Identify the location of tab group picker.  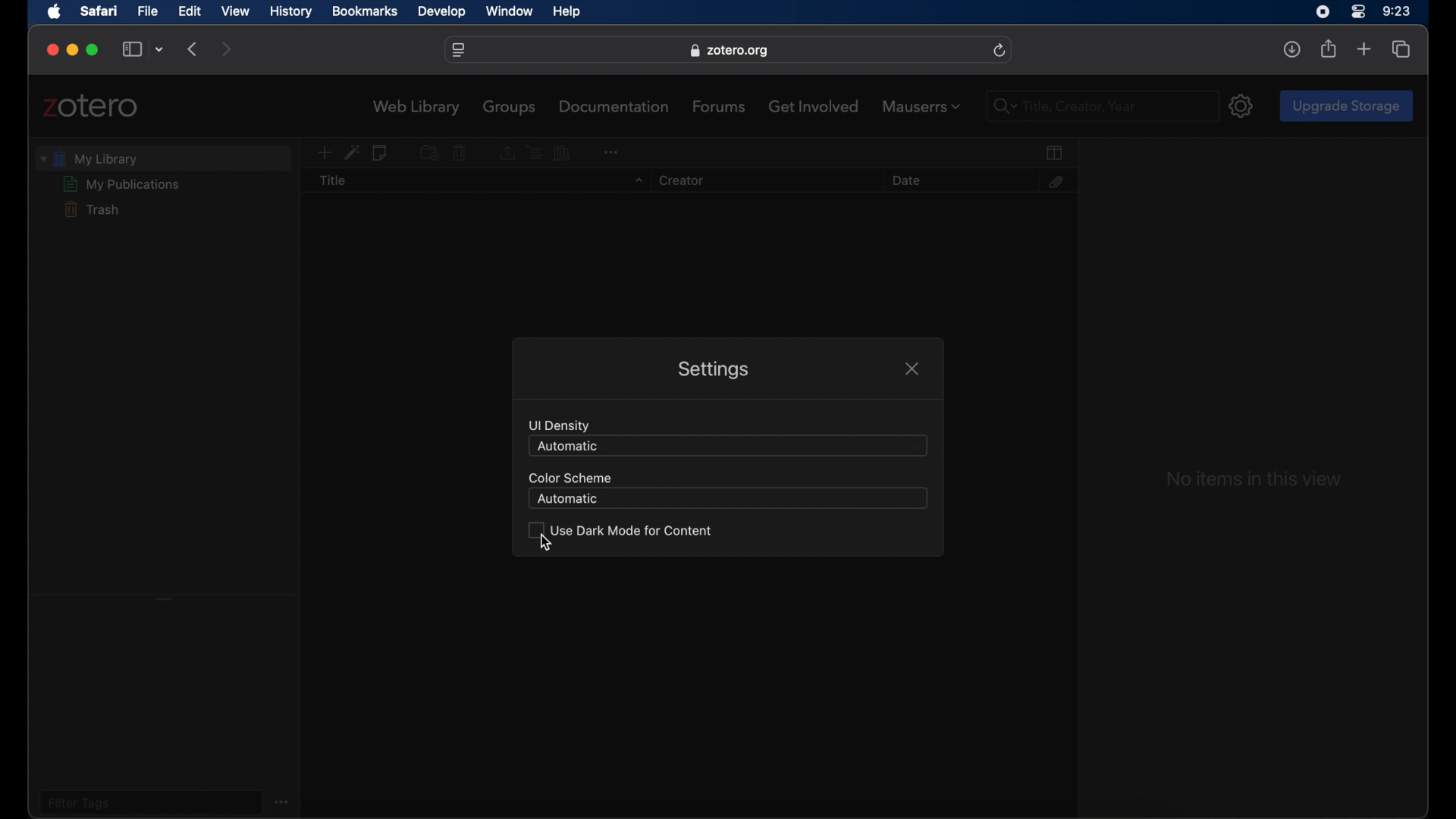
(161, 50).